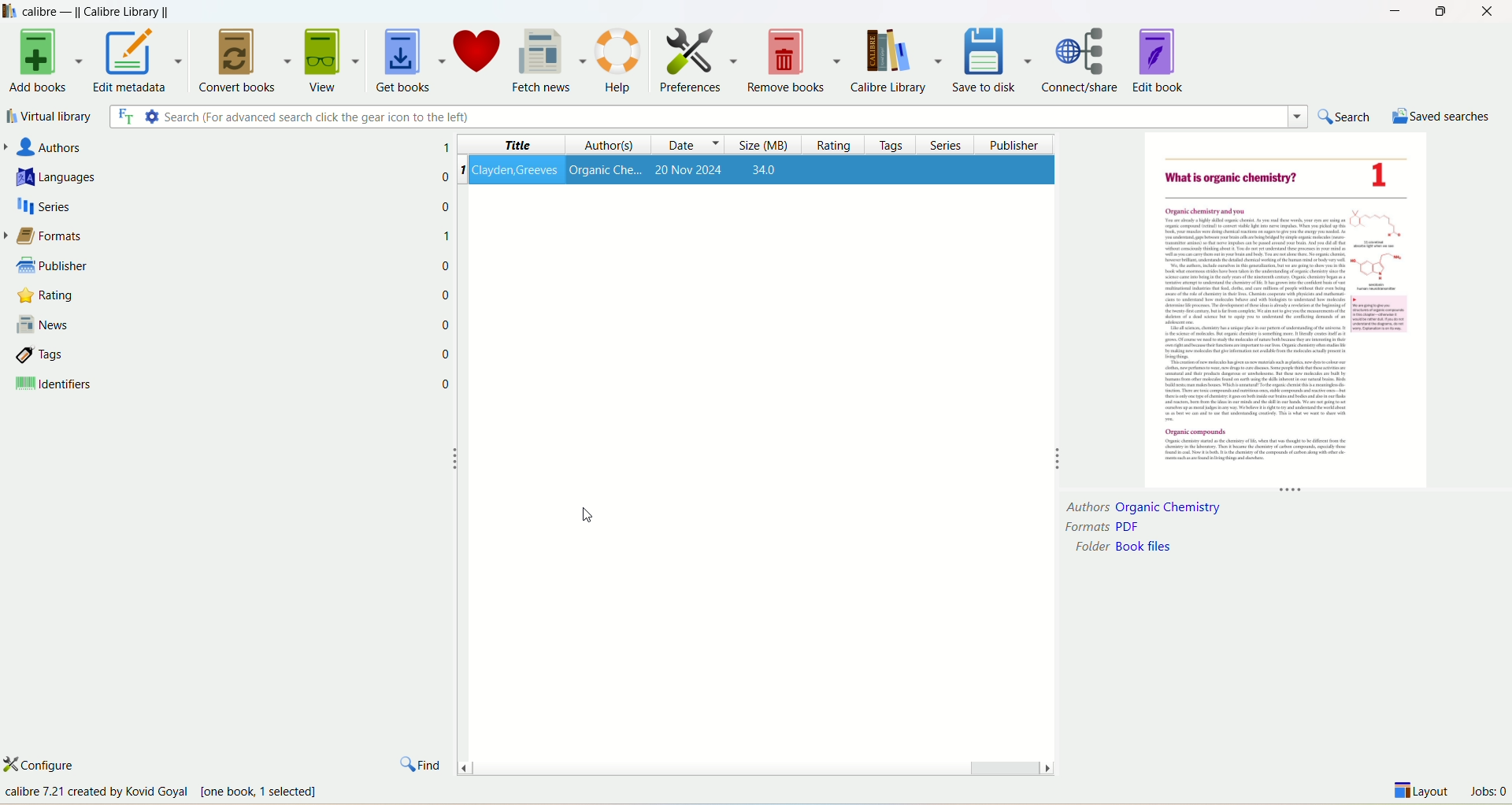 The image size is (1512, 805). I want to click on date, so click(677, 146).